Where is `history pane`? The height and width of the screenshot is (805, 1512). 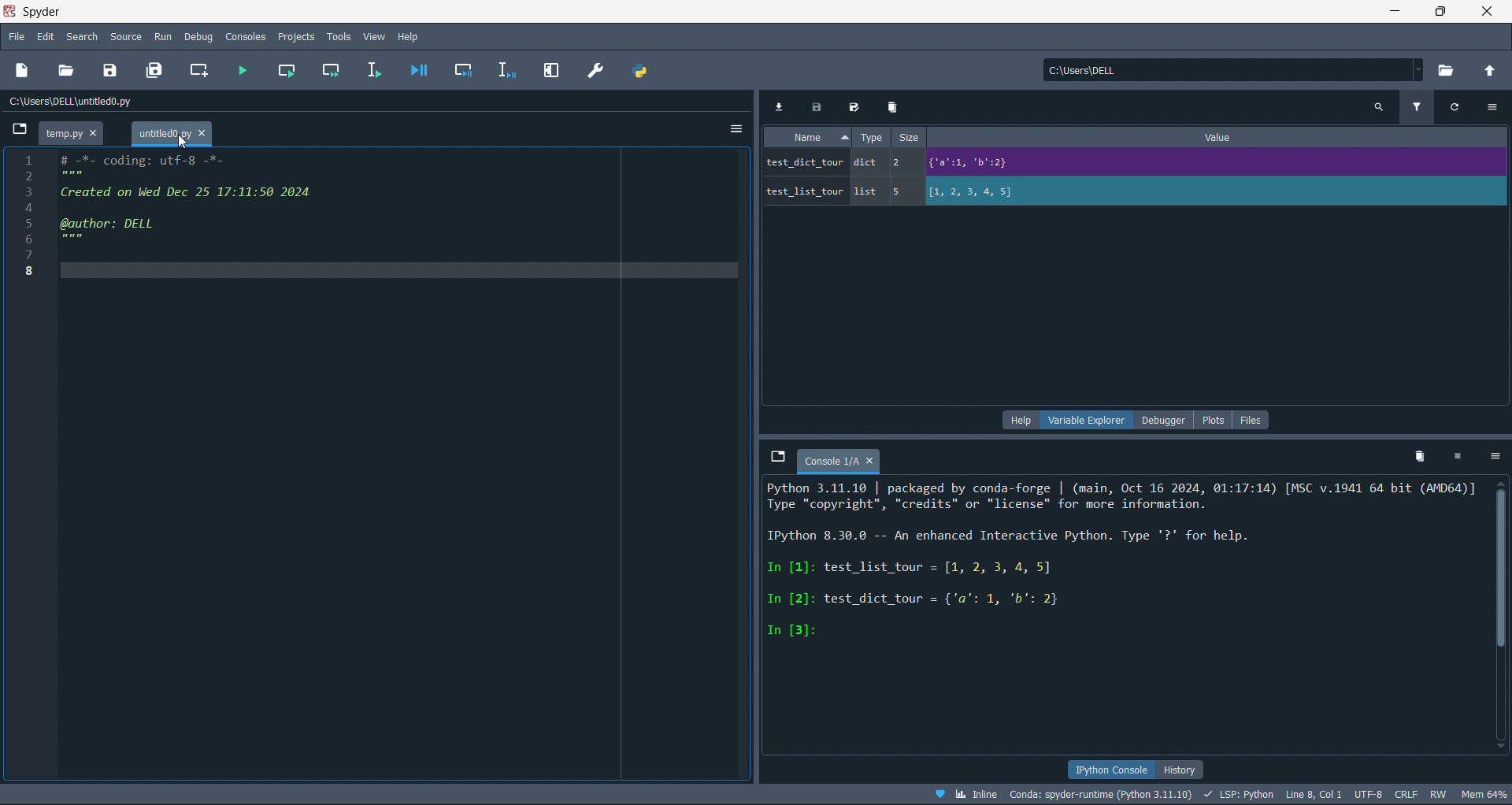 history pane is located at coordinates (1175, 768).